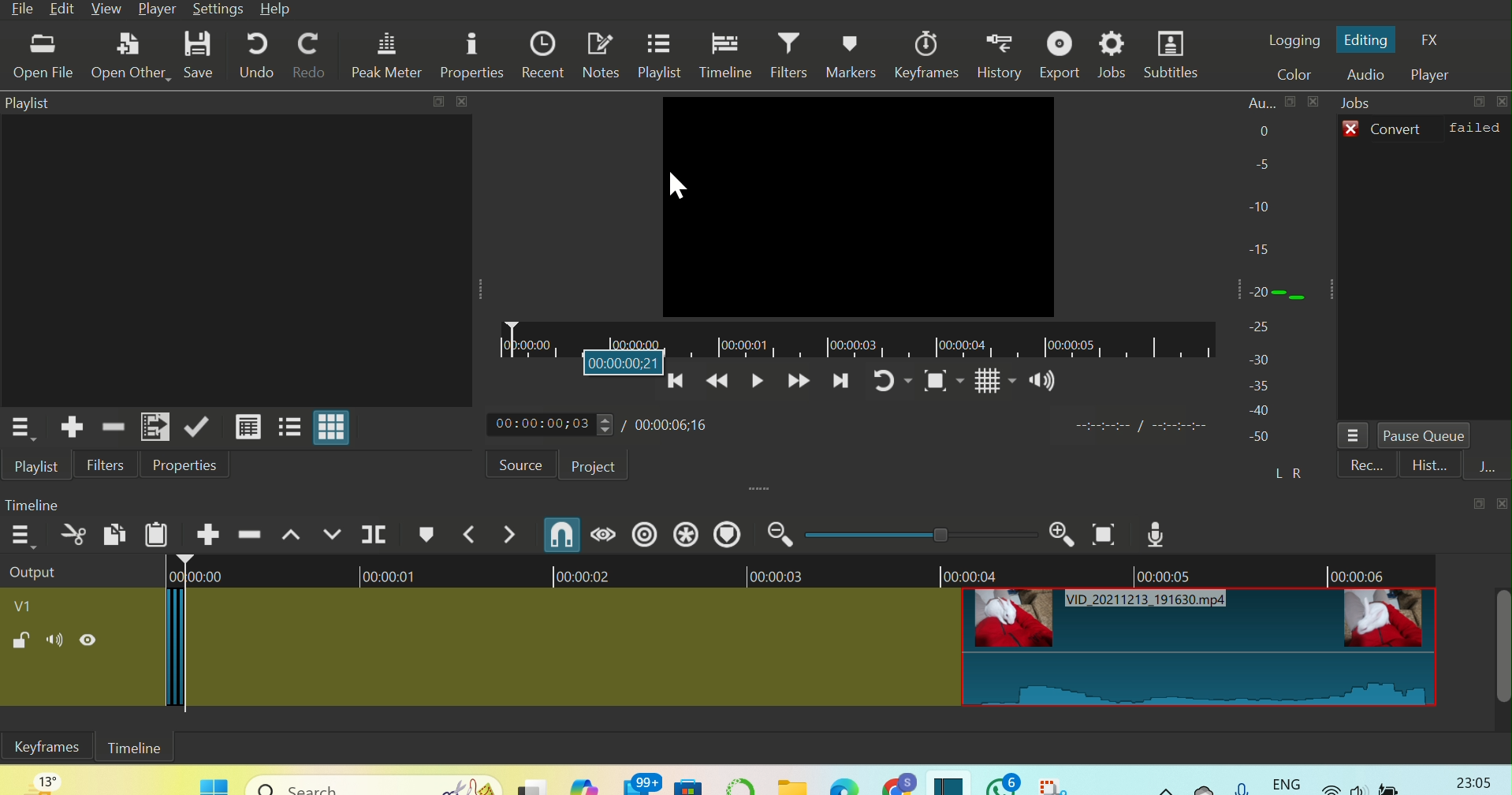  I want to click on Play, so click(754, 386).